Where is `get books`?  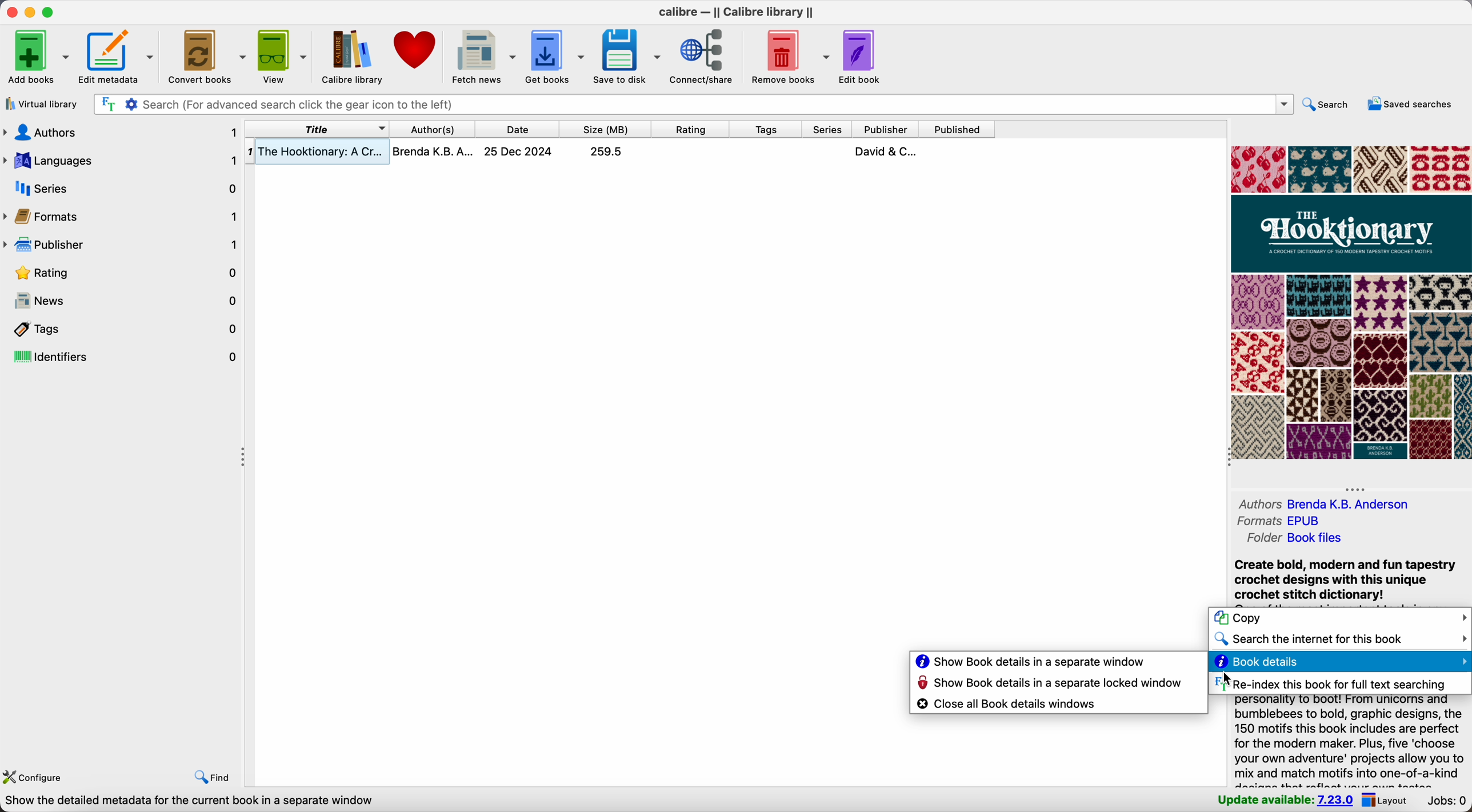 get books is located at coordinates (556, 54).